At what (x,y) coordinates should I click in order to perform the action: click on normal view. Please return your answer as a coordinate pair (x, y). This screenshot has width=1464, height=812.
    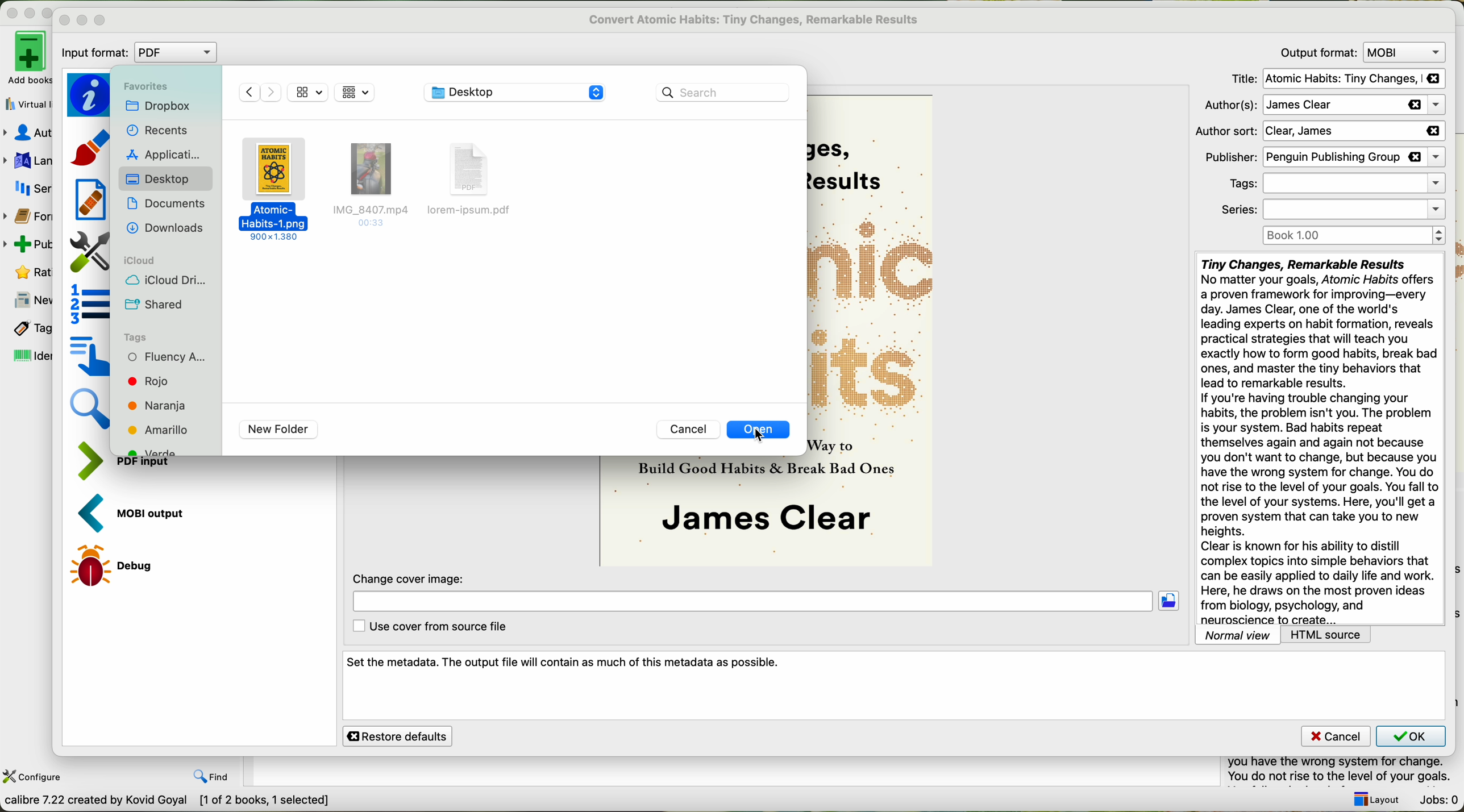
    Looking at the image, I should click on (1238, 635).